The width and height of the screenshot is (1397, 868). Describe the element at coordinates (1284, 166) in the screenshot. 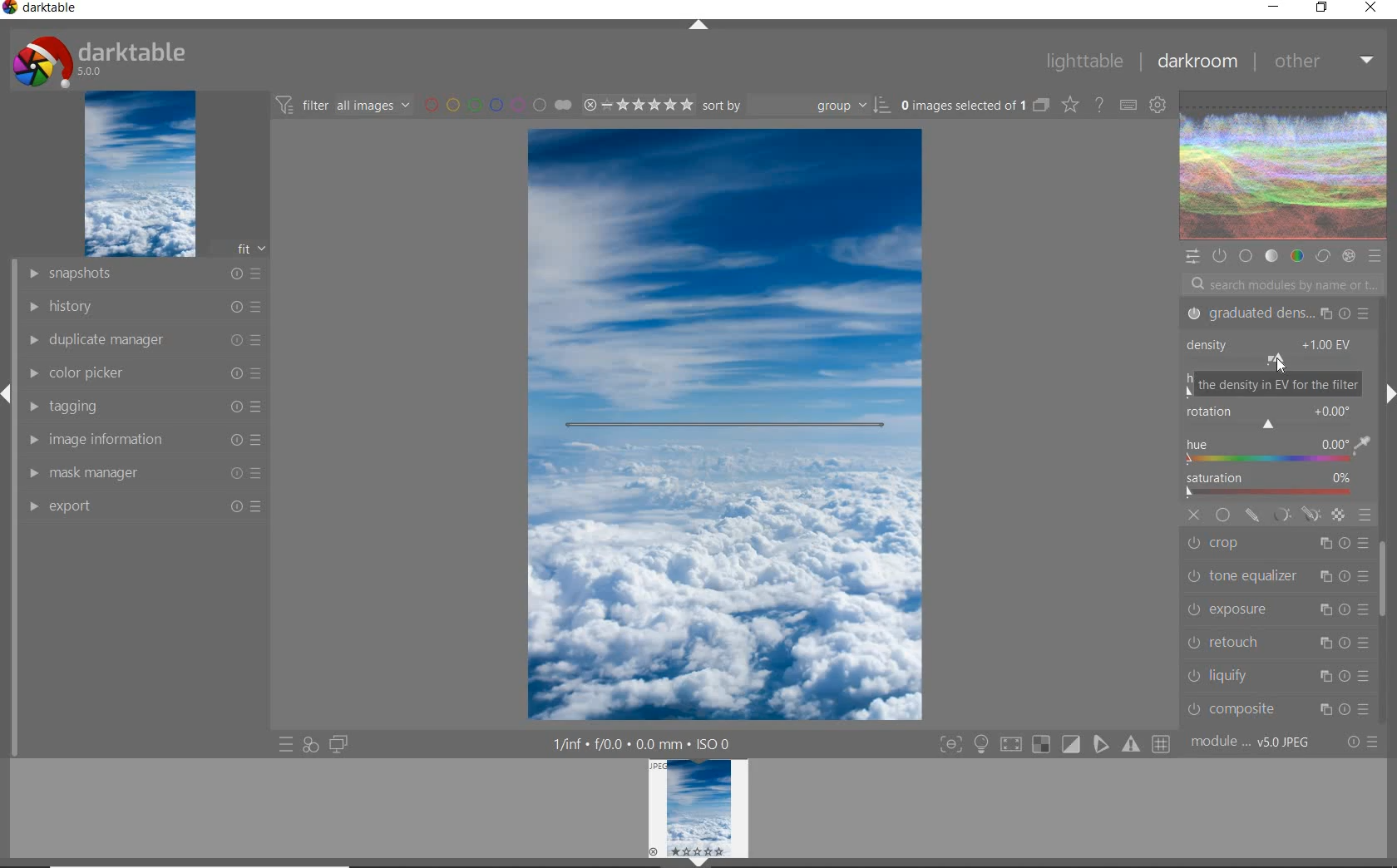

I see `WAVEFORM` at that location.